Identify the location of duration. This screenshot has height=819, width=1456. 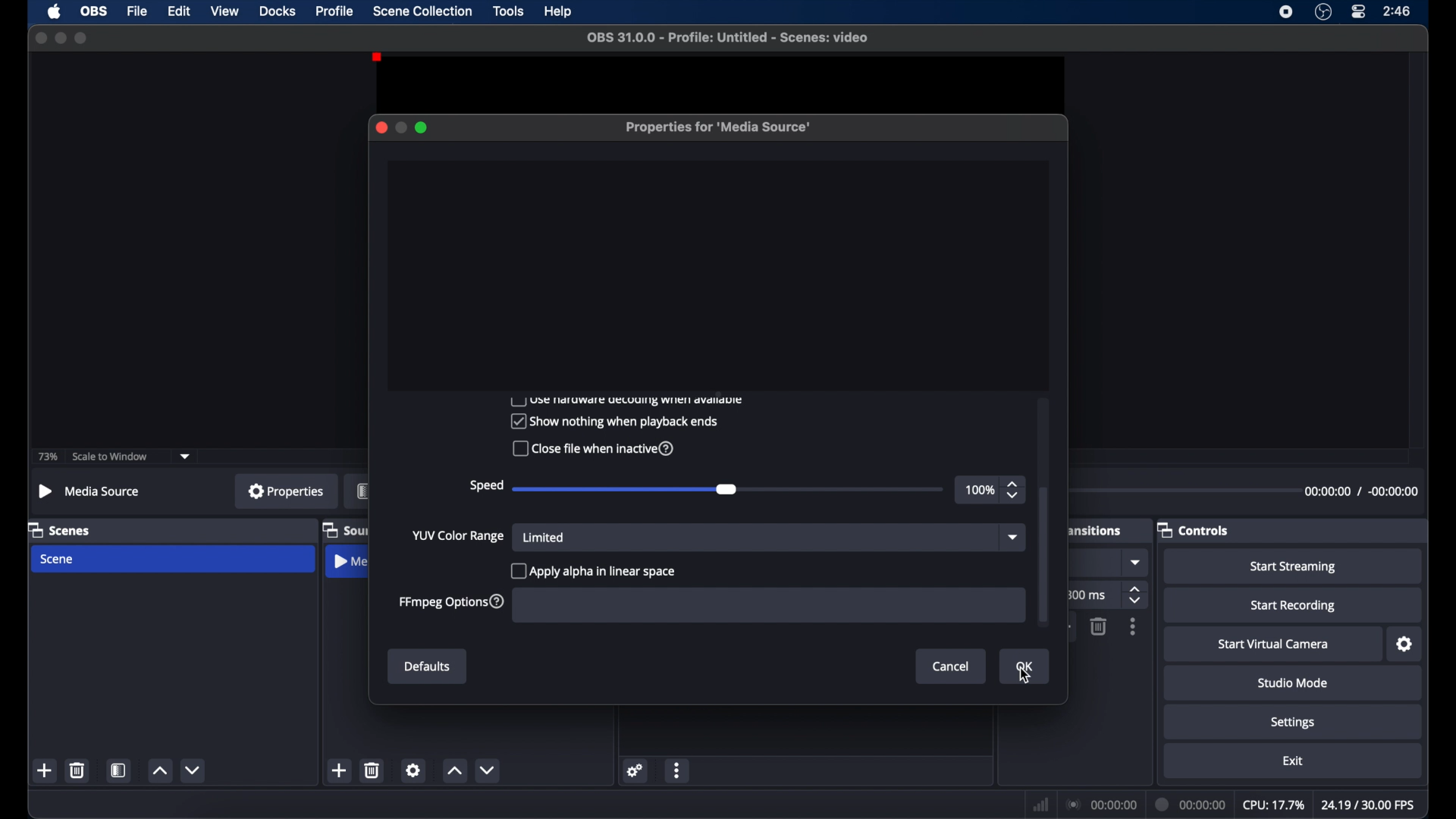
(1191, 804).